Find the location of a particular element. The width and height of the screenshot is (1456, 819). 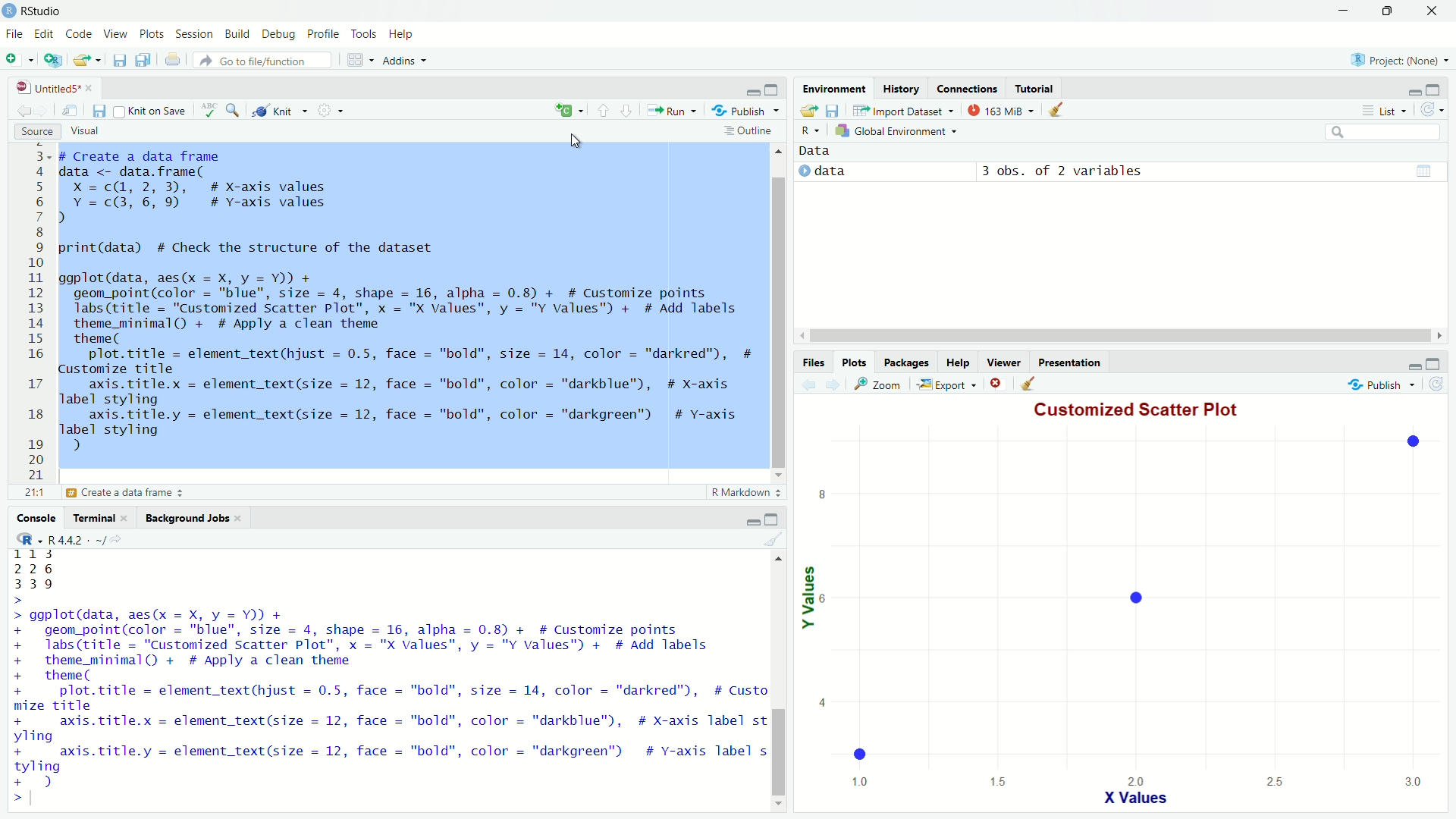

Import dataset is located at coordinates (904, 111).